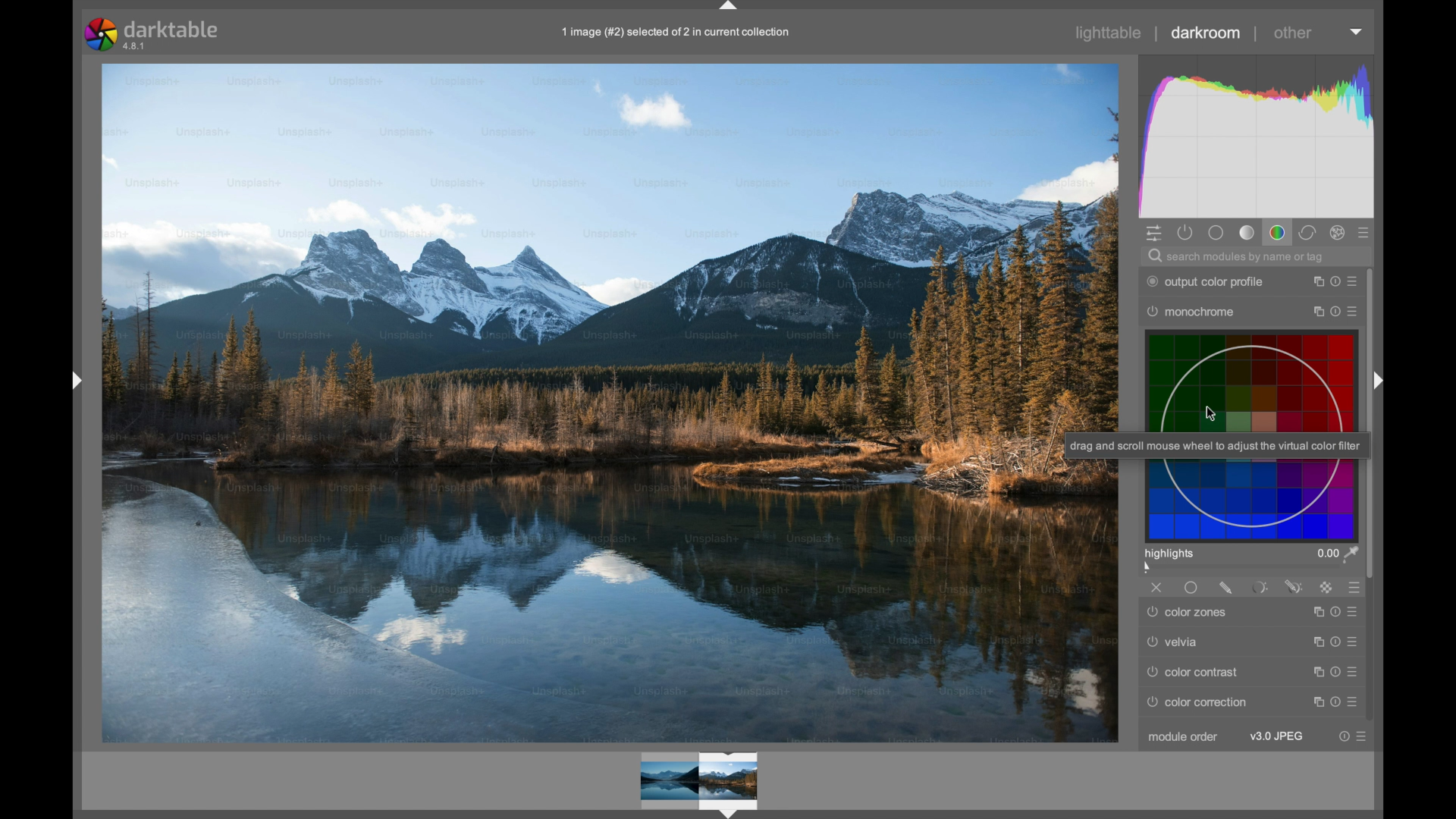 This screenshot has width=1456, height=819. I want to click on parametric mask, so click(1260, 588).